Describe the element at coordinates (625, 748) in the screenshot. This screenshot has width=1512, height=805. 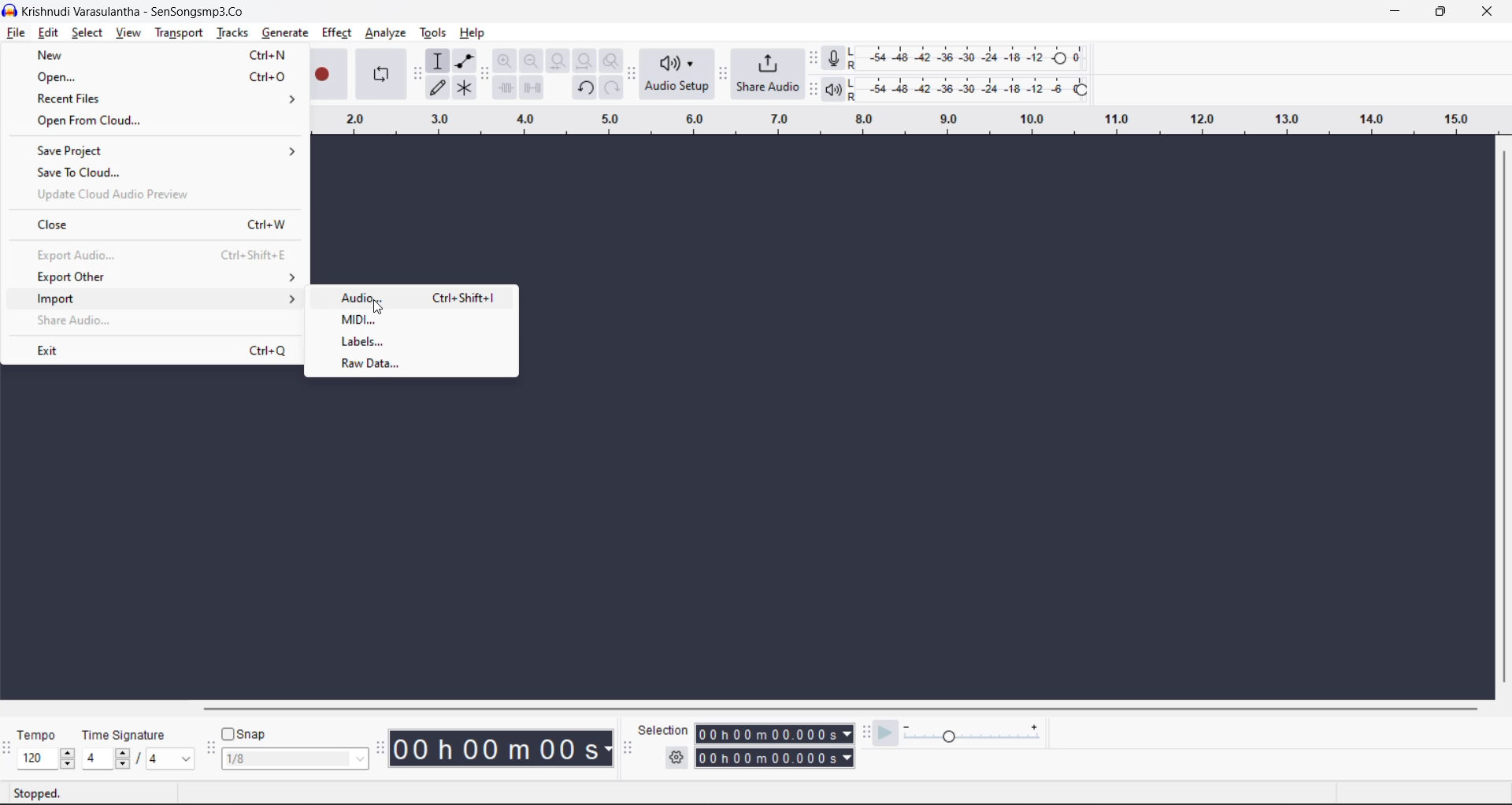
I see `selection tool bar` at that location.